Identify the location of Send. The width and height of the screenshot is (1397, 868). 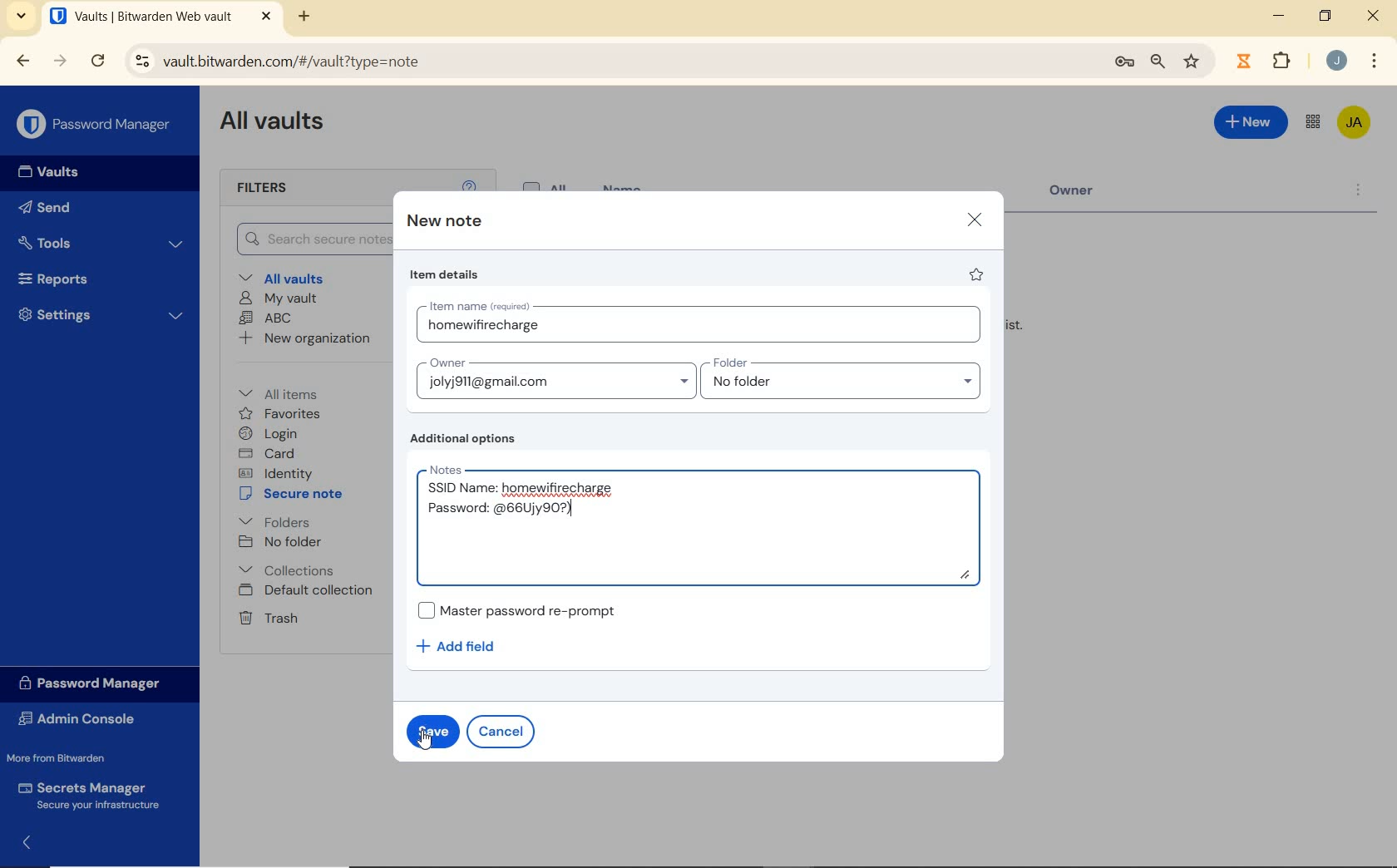
(50, 206).